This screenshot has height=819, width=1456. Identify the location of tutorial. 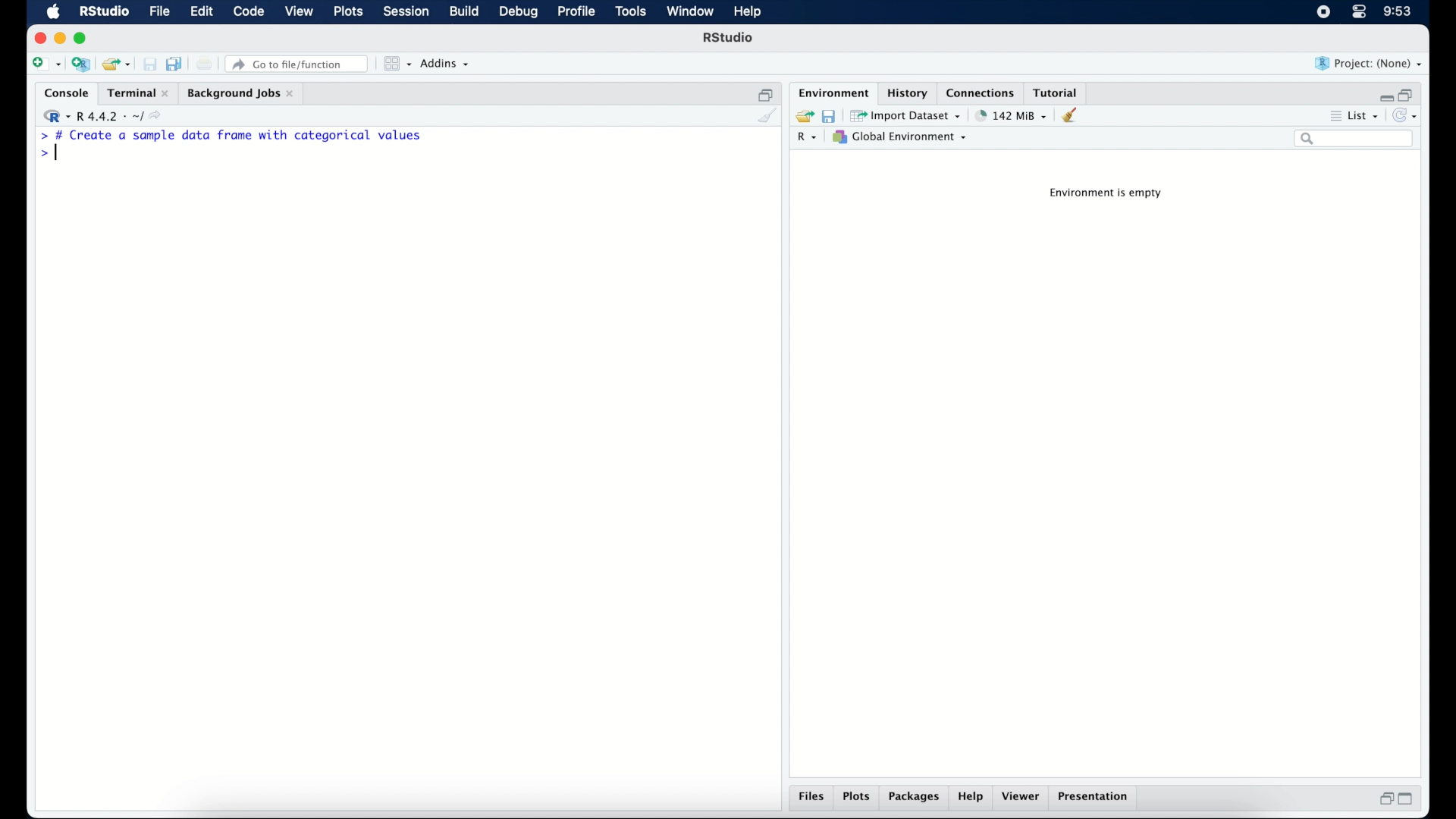
(1059, 92).